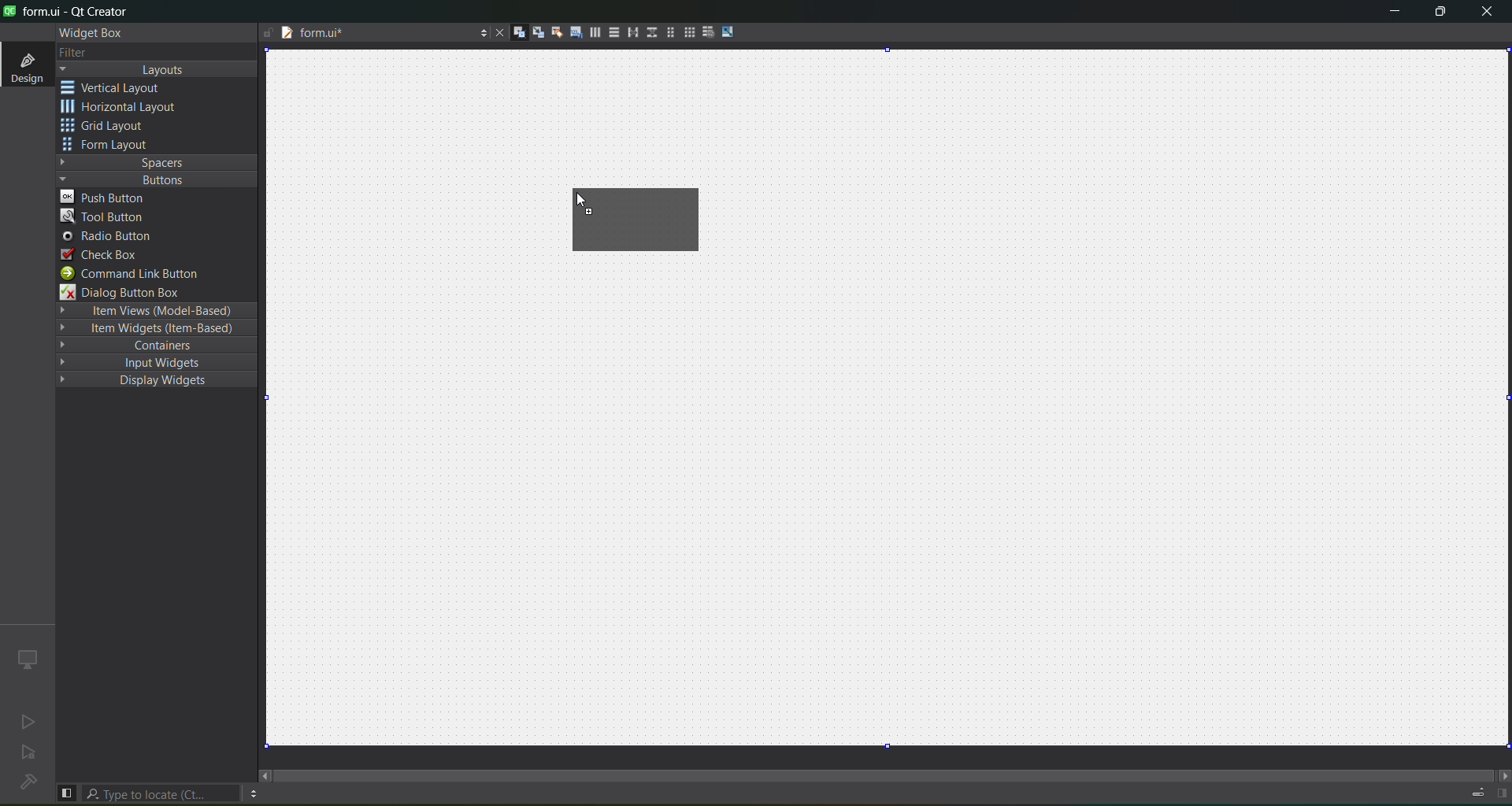 This screenshot has width=1512, height=806. Describe the element at coordinates (730, 31) in the screenshot. I see `adjust size` at that location.